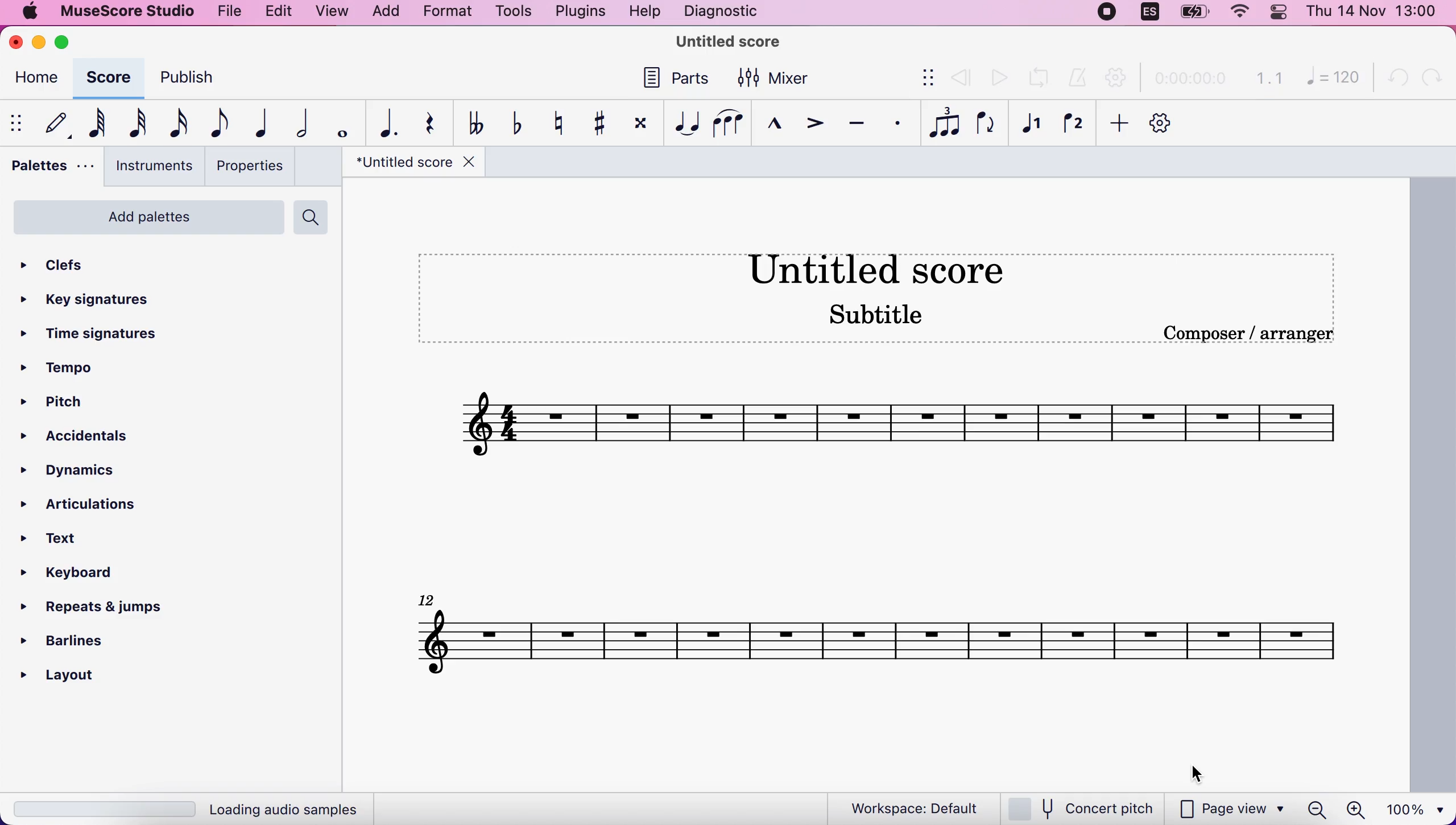  I want to click on default, so click(56, 123).